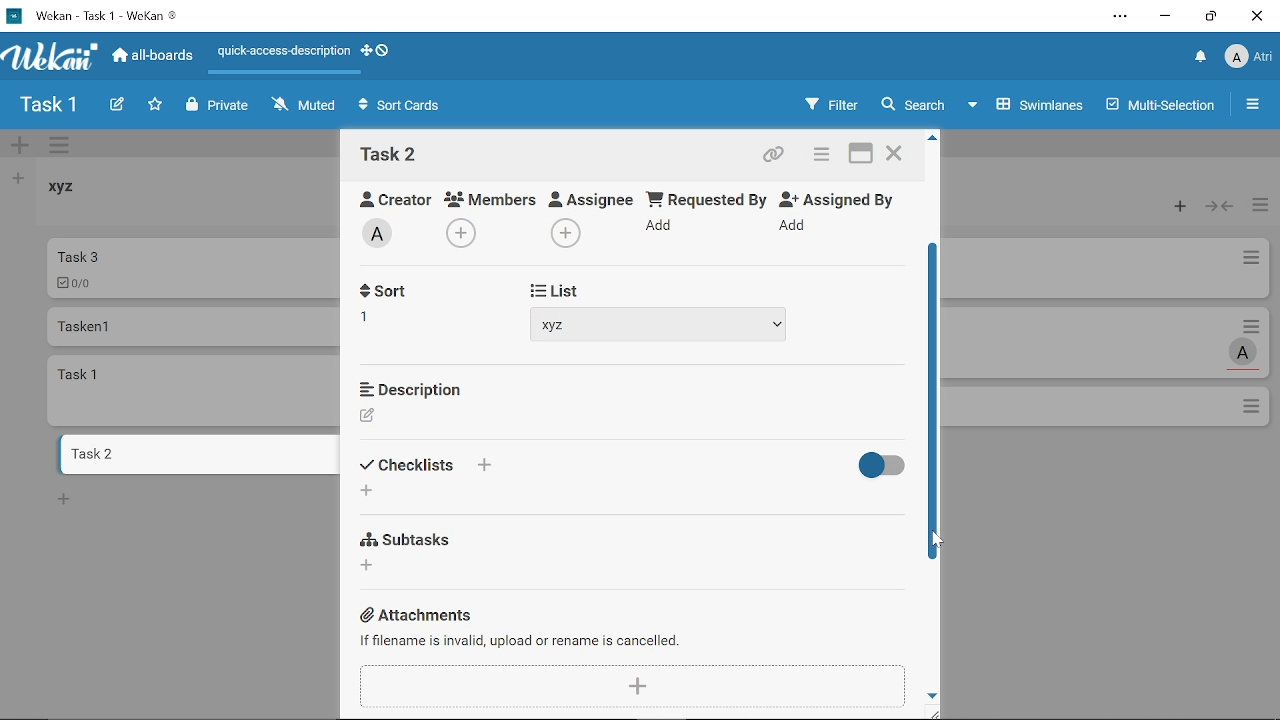 This screenshot has height=720, width=1280. What do you see at coordinates (563, 233) in the screenshot?
I see `Add` at bounding box center [563, 233].